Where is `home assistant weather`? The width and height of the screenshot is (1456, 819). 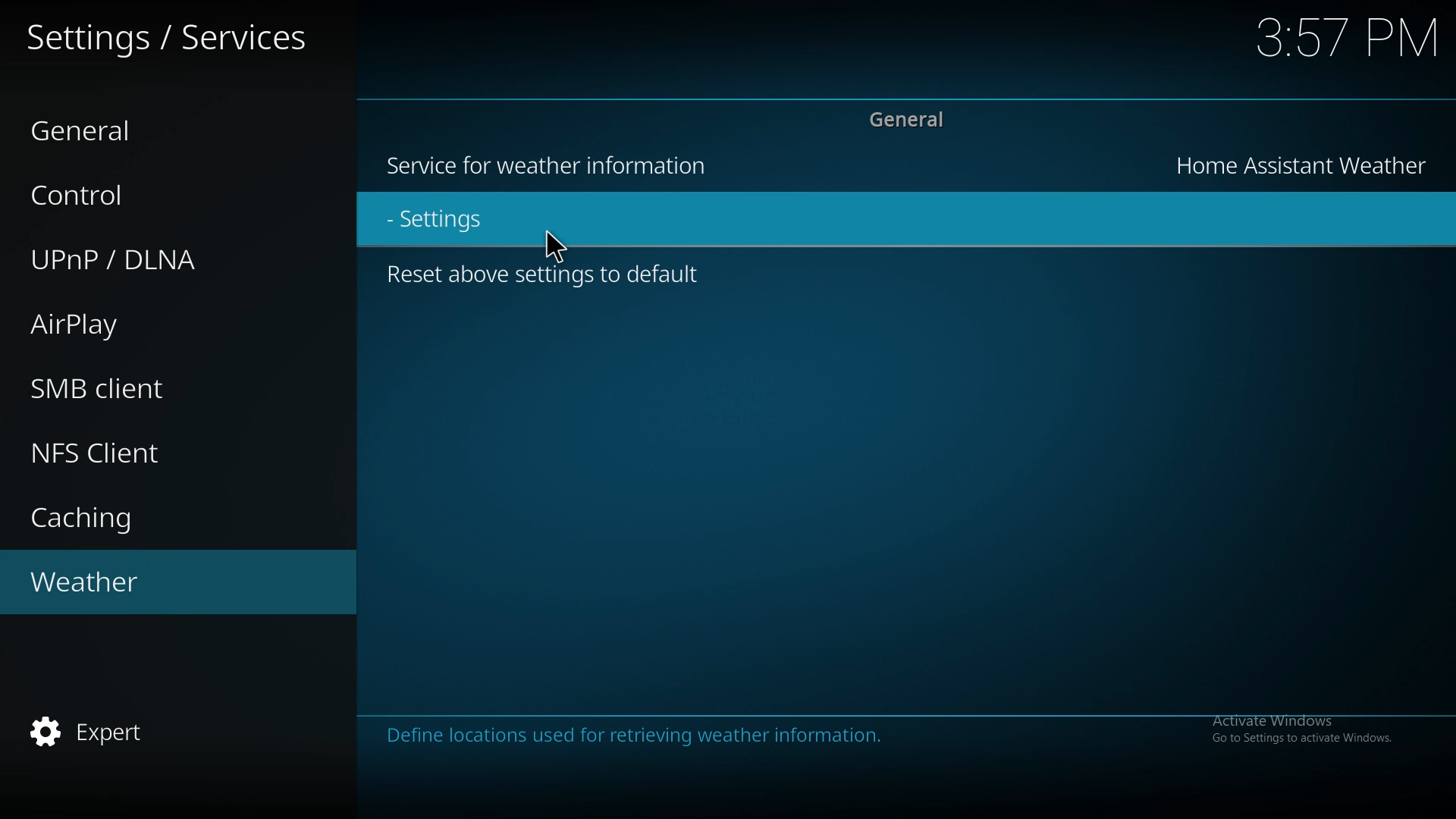
home assistant weather is located at coordinates (1304, 163).